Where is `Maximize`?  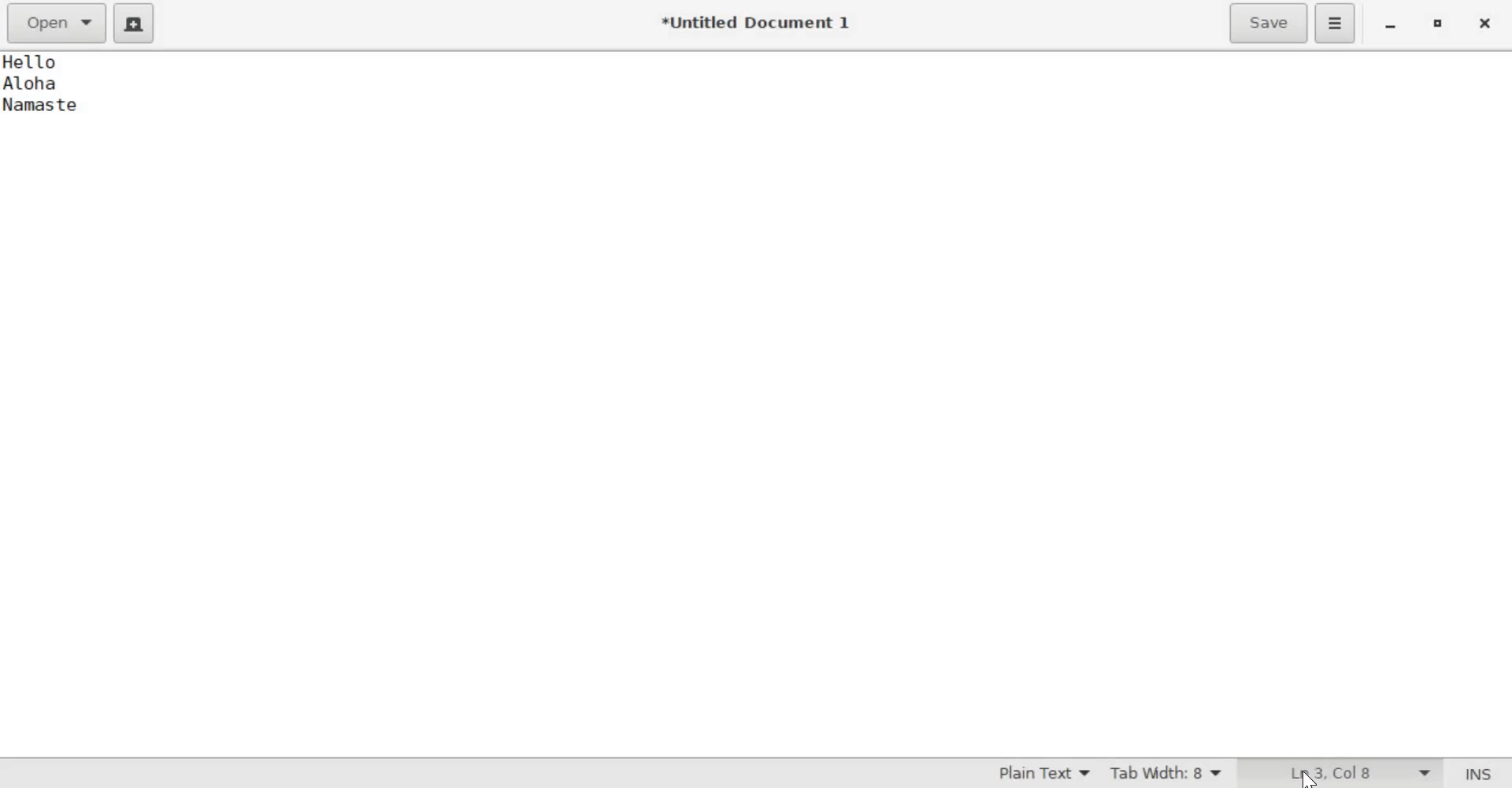 Maximize is located at coordinates (1439, 24).